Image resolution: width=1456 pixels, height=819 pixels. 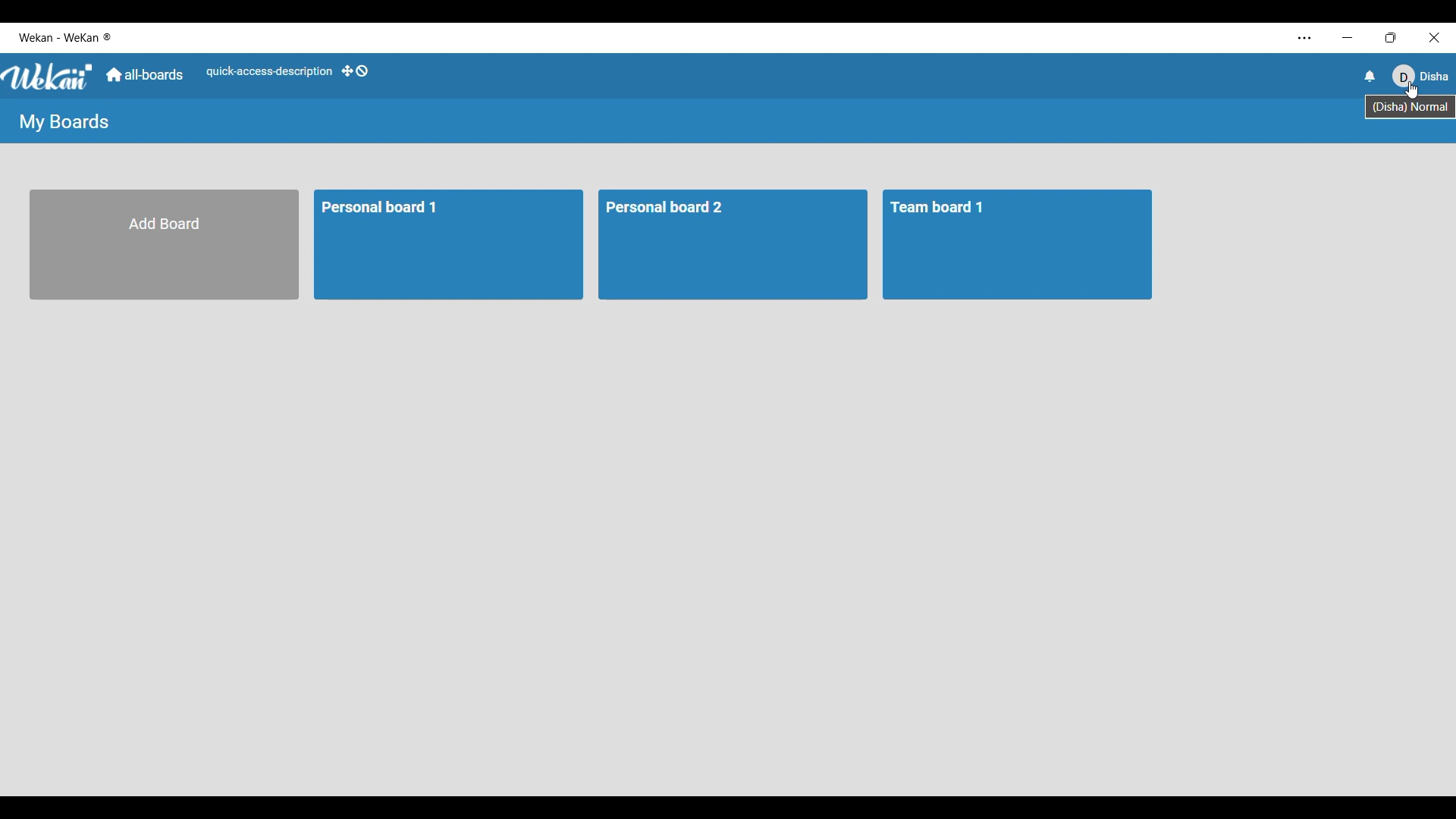 I want to click on team board 1, so click(x=1018, y=246).